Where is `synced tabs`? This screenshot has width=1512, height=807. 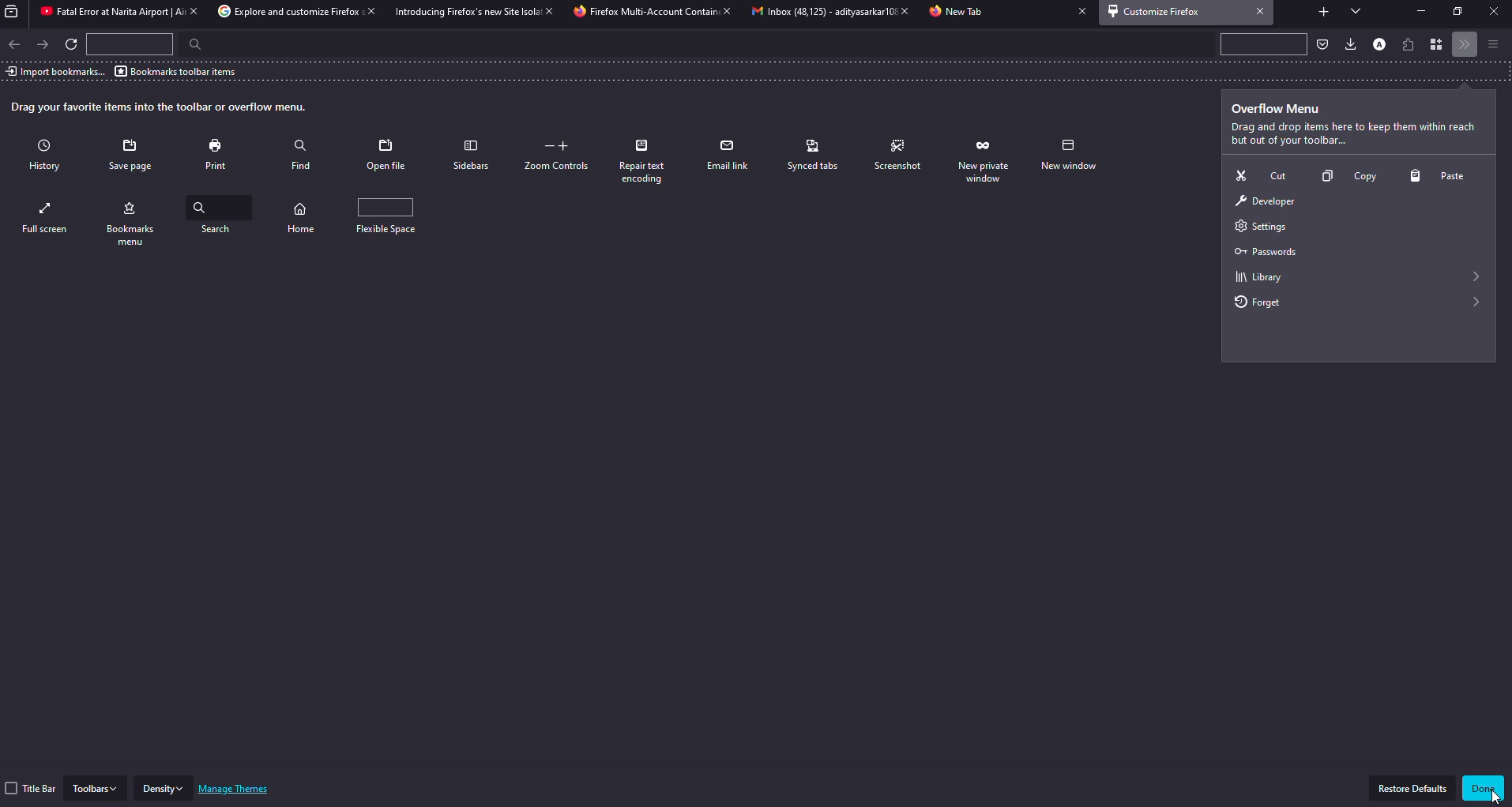 synced tabs is located at coordinates (814, 155).